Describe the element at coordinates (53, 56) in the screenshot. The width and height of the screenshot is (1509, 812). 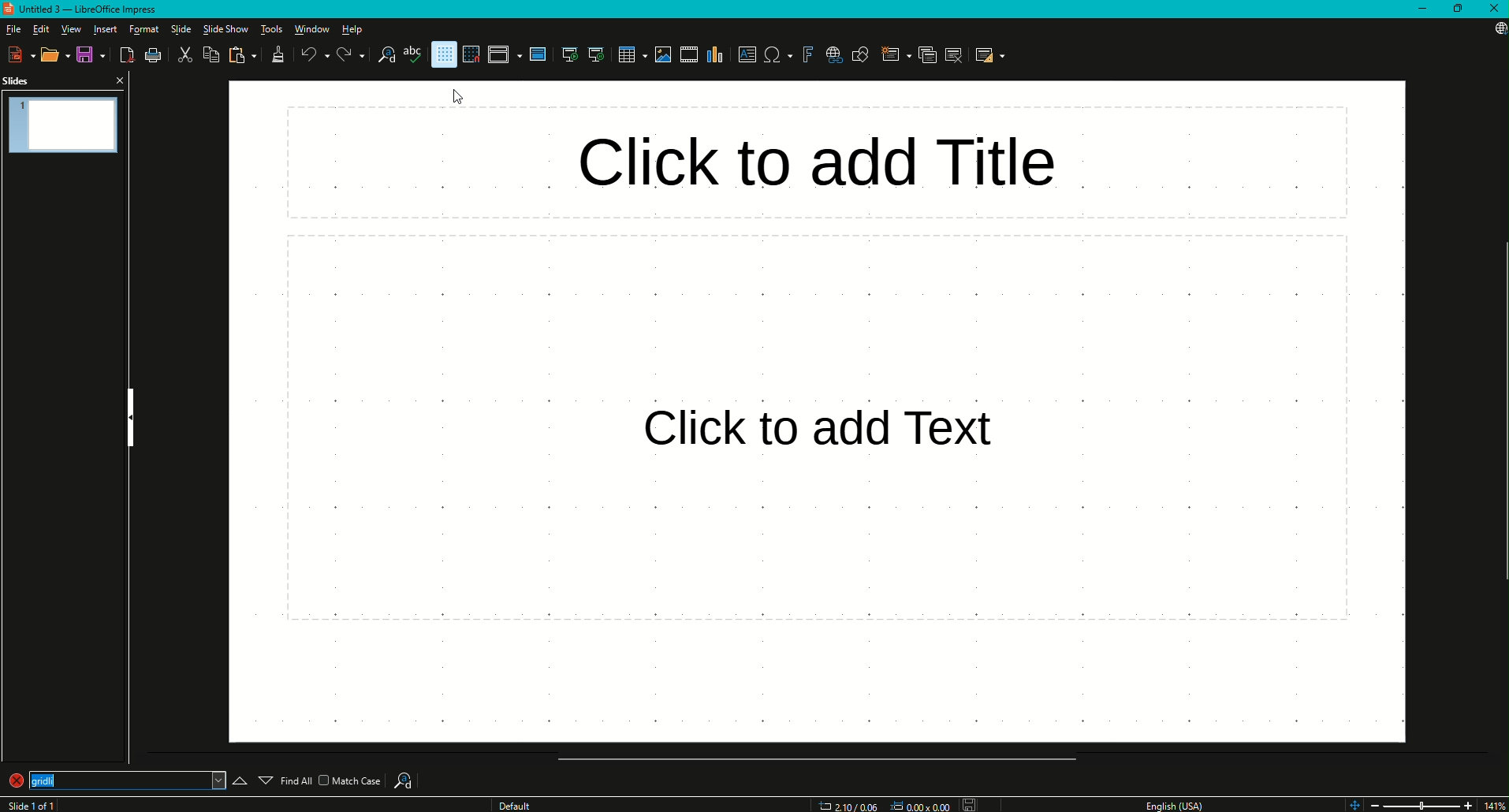
I see `Open` at that location.